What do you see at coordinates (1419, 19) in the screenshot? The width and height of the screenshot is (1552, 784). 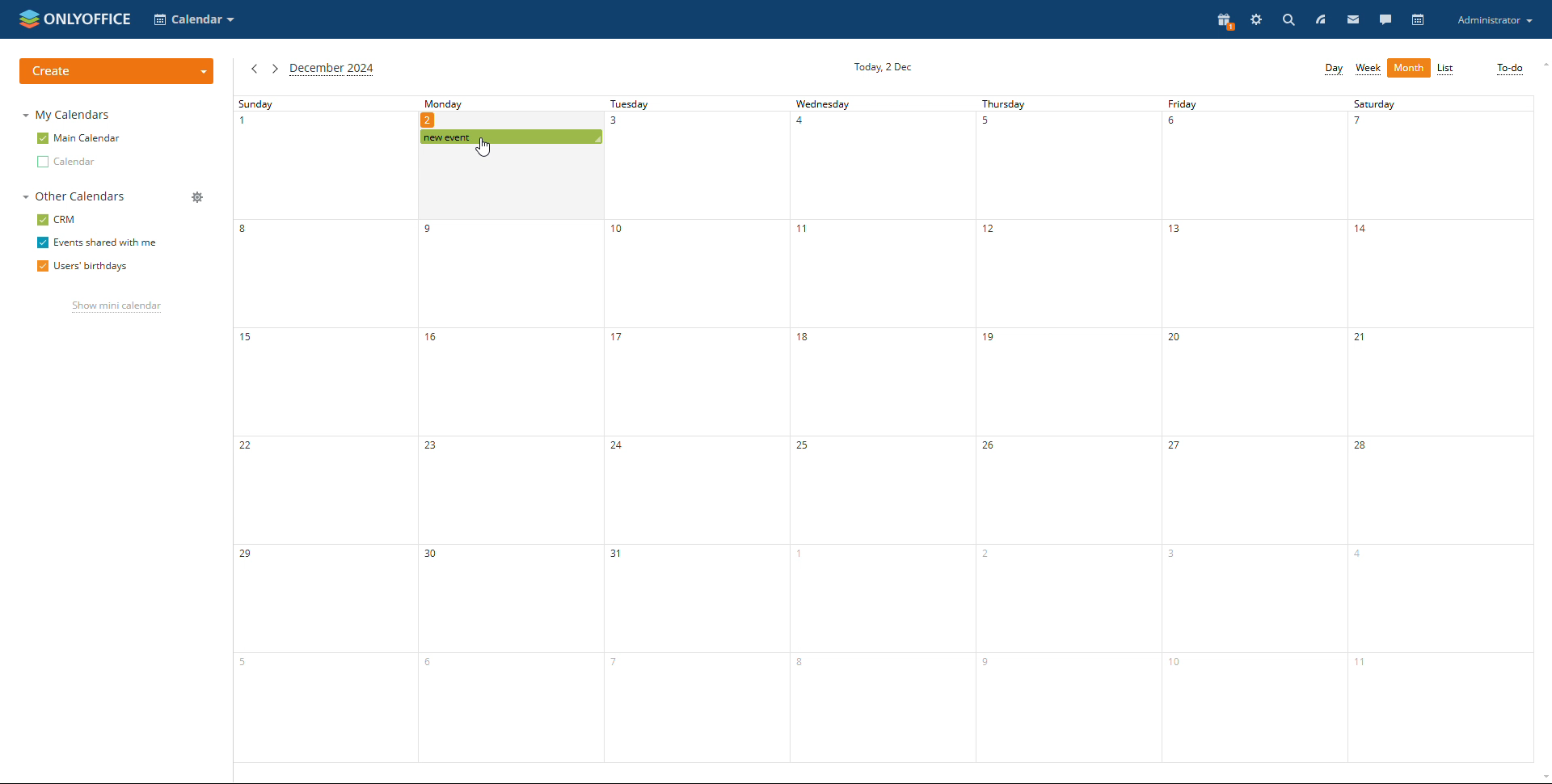 I see `calendar` at bounding box center [1419, 19].